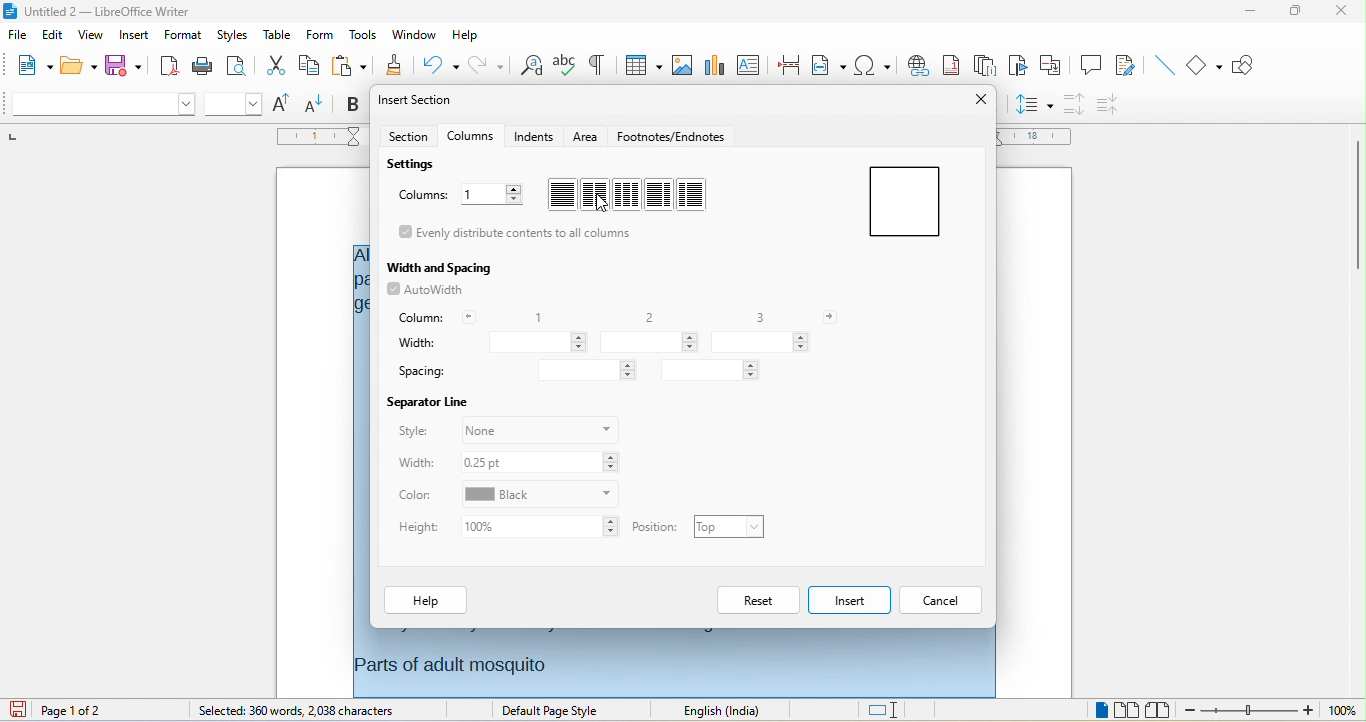 This screenshot has height=722, width=1366. Describe the element at coordinates (641, 64) in the screenshot. I see `table` at that location.